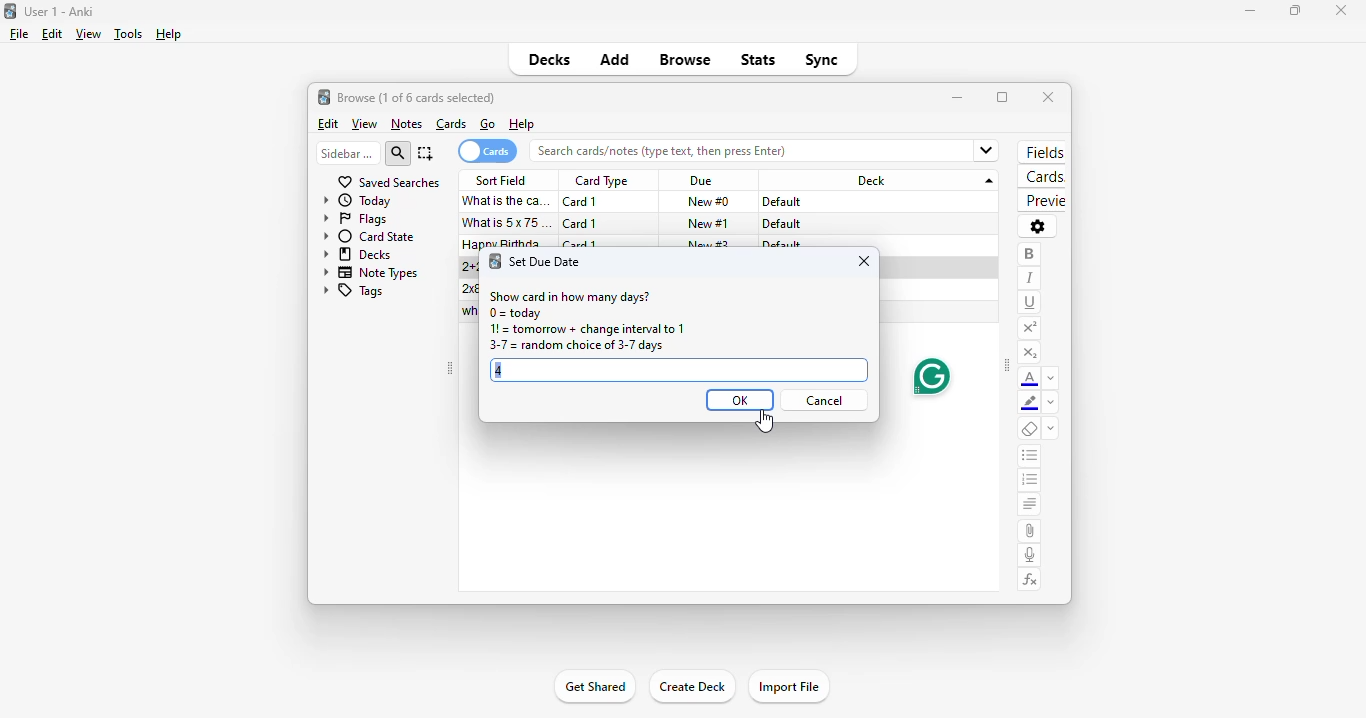 This screenshot has height=718, width=1366. Describe the element at coordinates (168, 34) in the screenshot. I see `help` at that location.